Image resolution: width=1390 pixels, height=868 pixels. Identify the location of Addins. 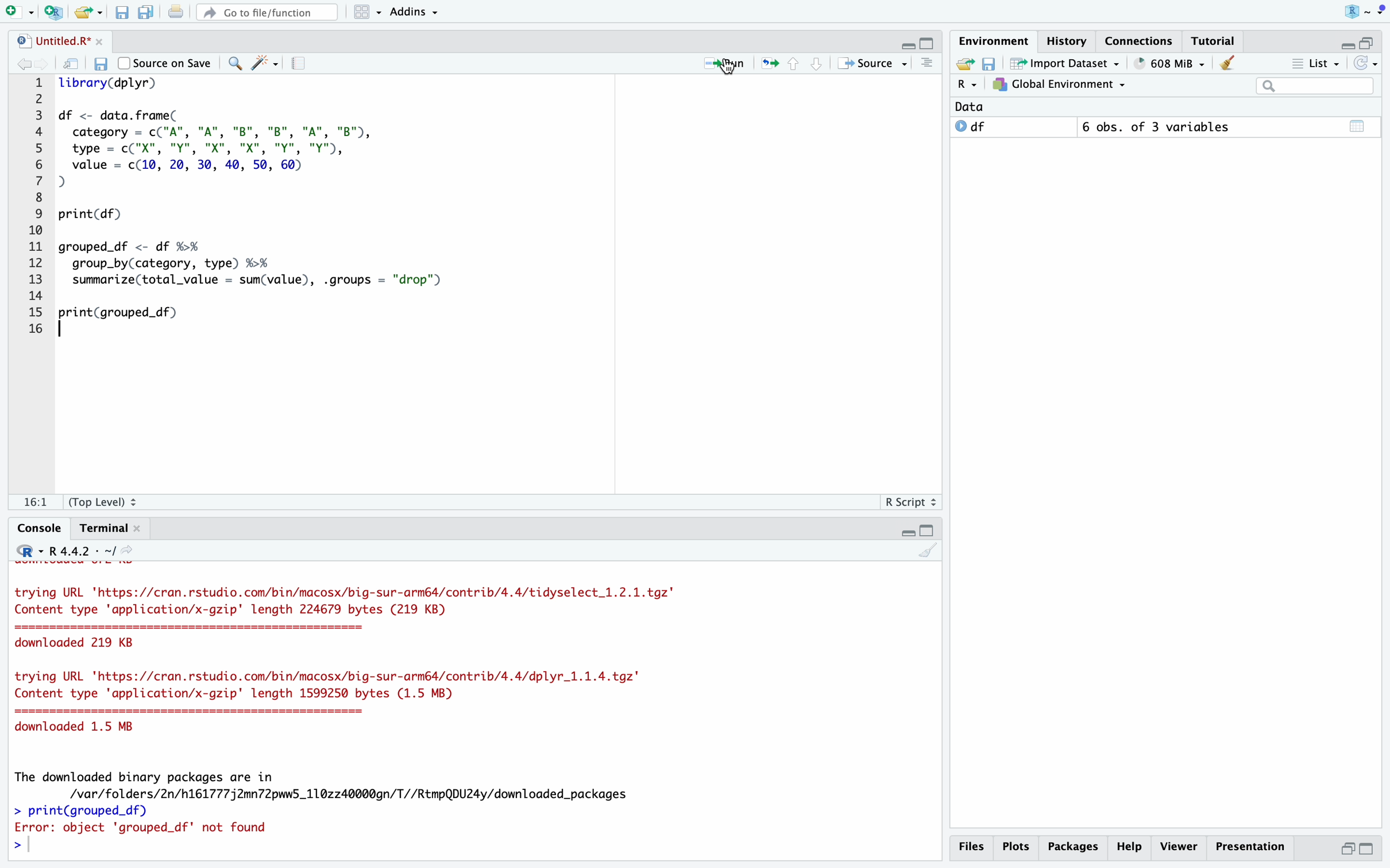
(414, 11).